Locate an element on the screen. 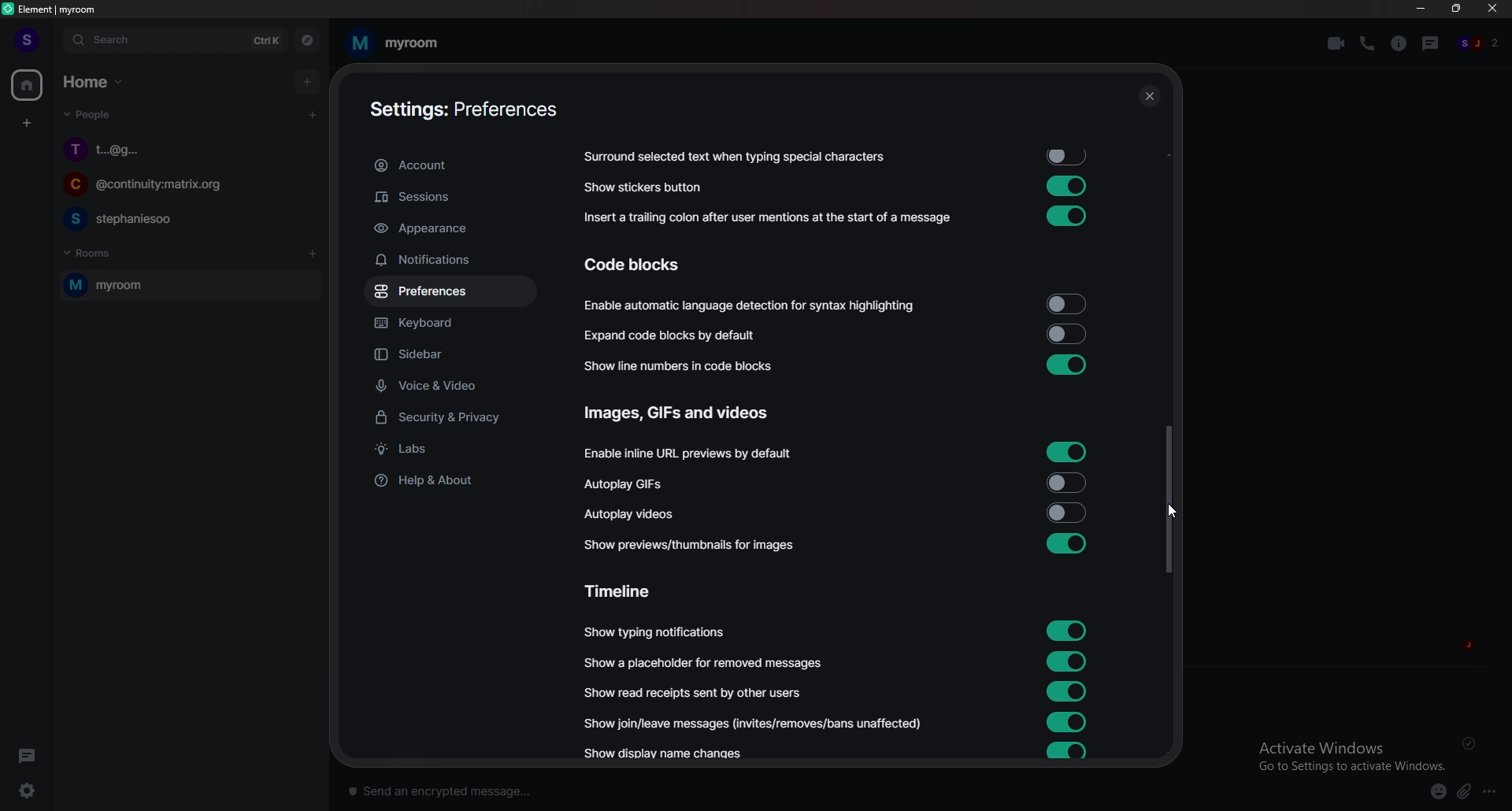  start chat is located at coordinates (312, 114).